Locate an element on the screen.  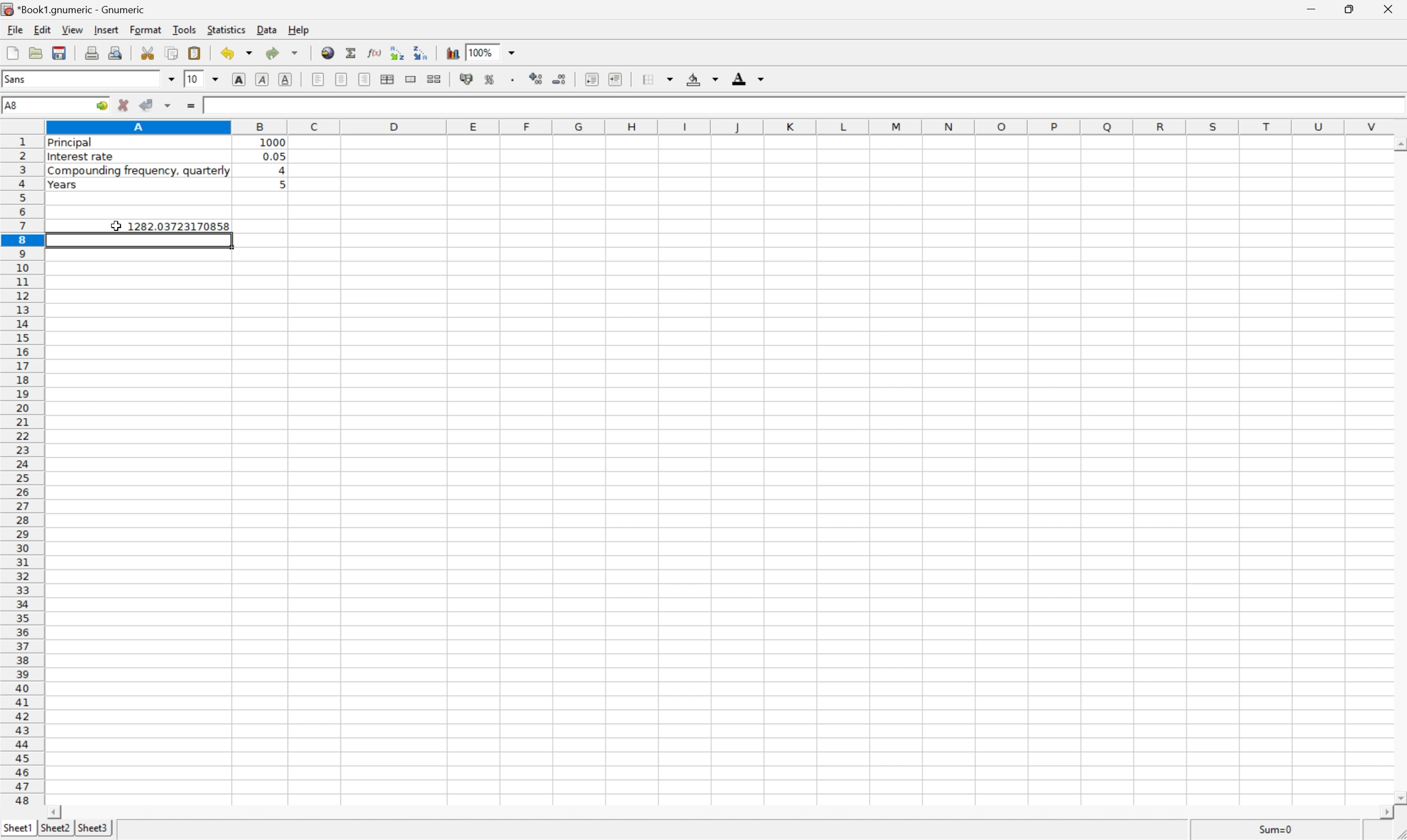
enter formula is located at coordinates (189, 107).